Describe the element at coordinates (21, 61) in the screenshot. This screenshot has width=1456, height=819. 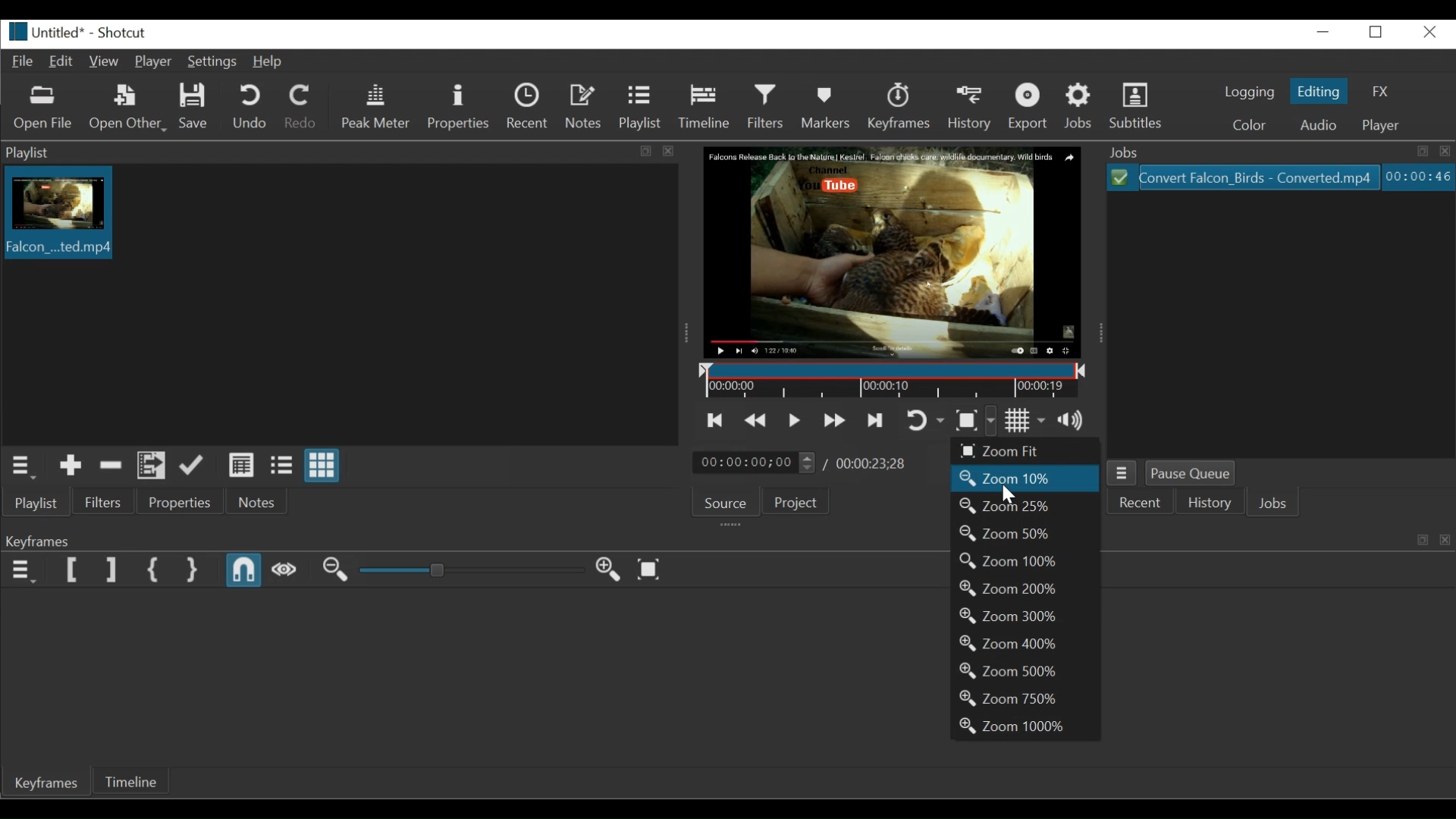
I see `File` at that location.